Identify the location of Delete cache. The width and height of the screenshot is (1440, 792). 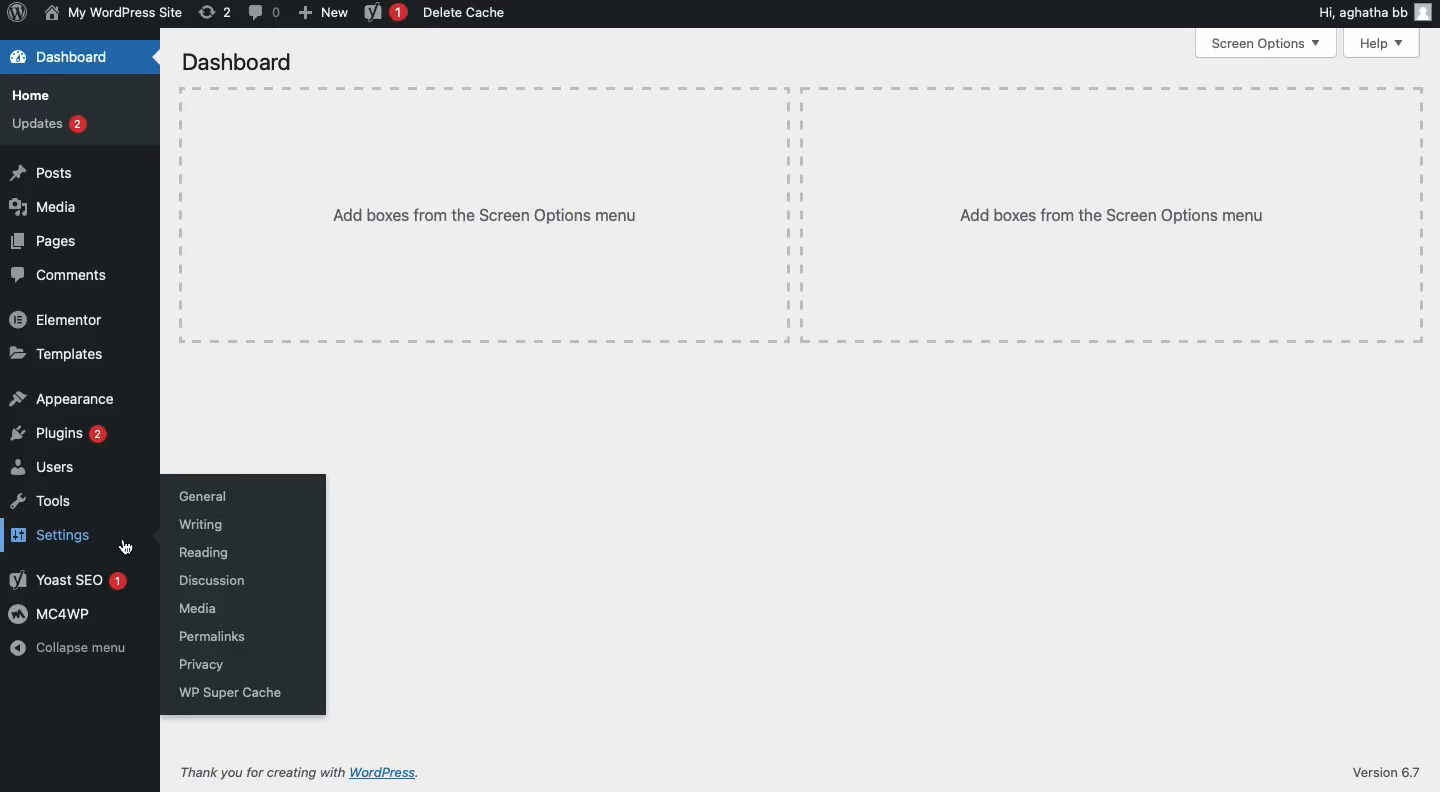
(465, 12).